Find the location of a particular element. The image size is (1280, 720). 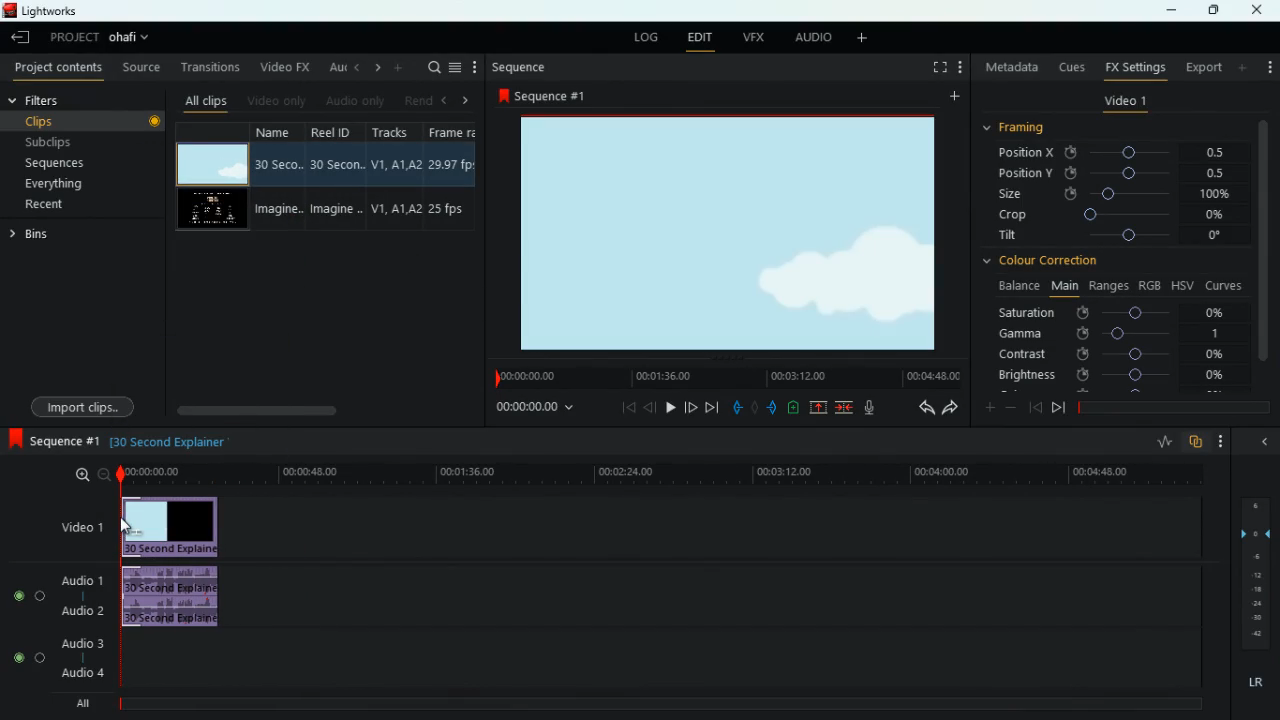

right is located at coordinates (467, 100).